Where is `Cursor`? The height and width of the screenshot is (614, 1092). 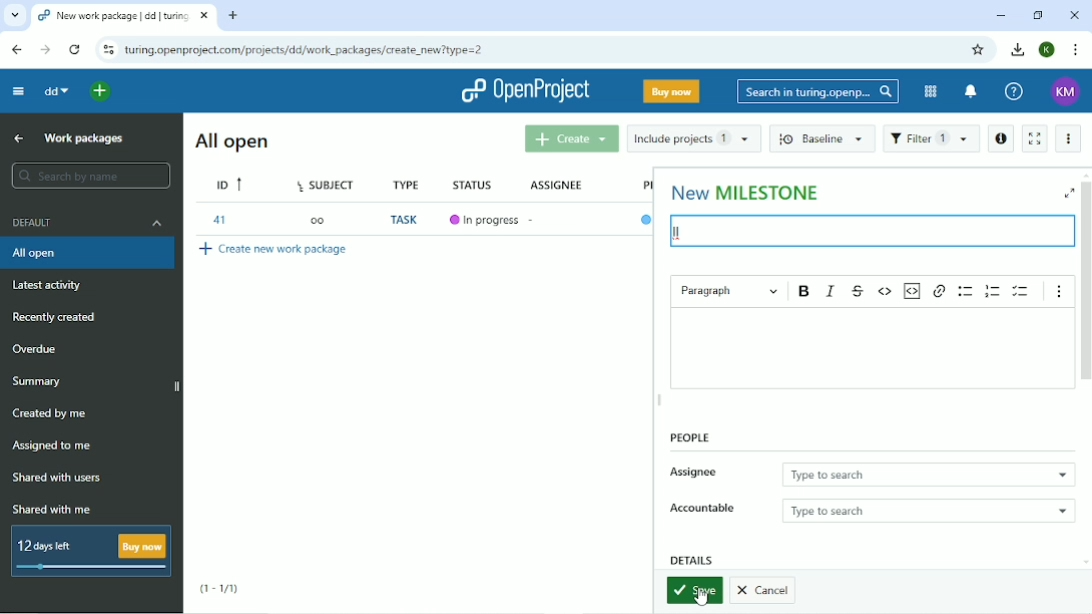
Cursor is located at coordinates (699, 596).